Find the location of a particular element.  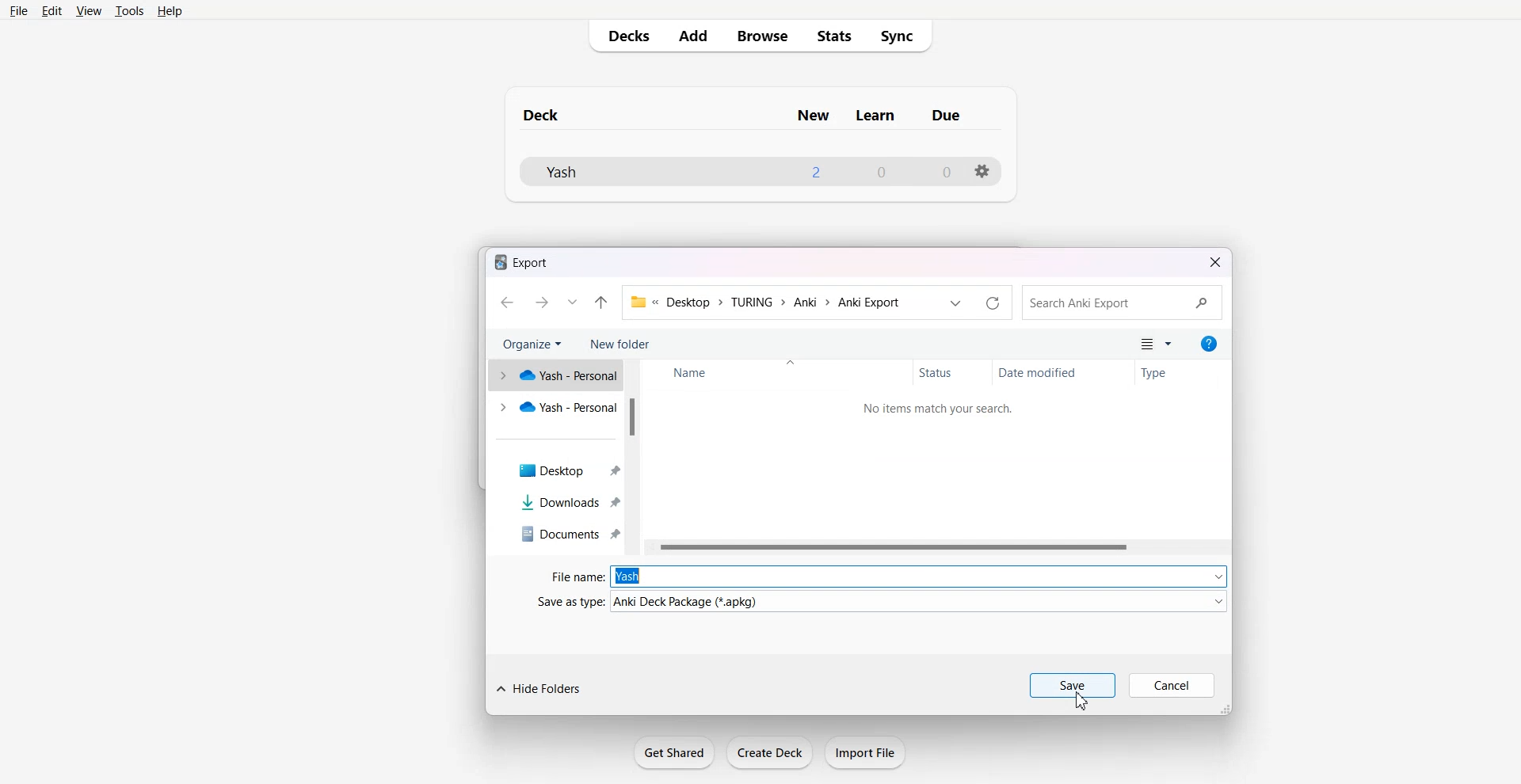

Get Help is located at coordinates (1210, 344).